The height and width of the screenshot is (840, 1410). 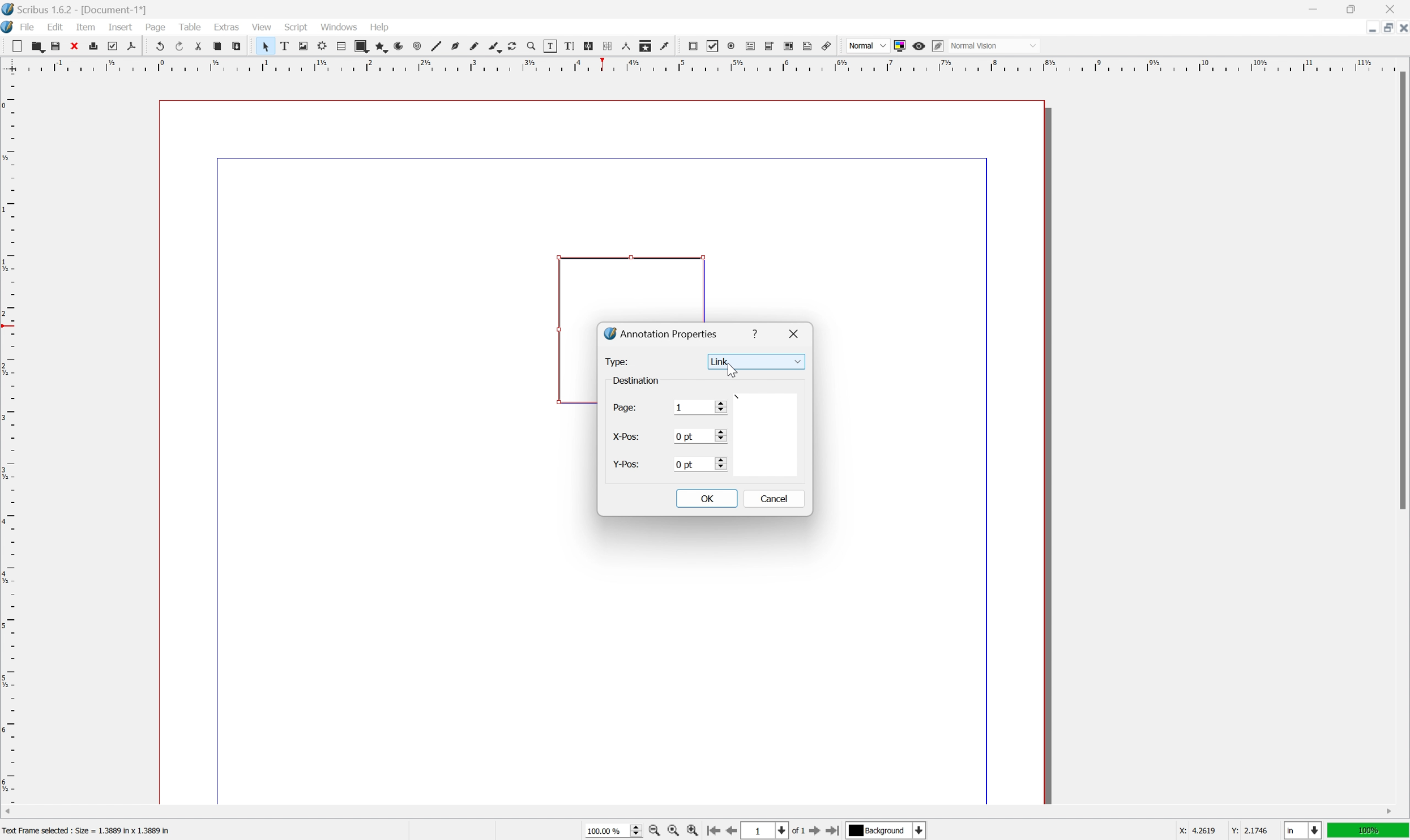 I want to click on File, so click(x=28, y=27).